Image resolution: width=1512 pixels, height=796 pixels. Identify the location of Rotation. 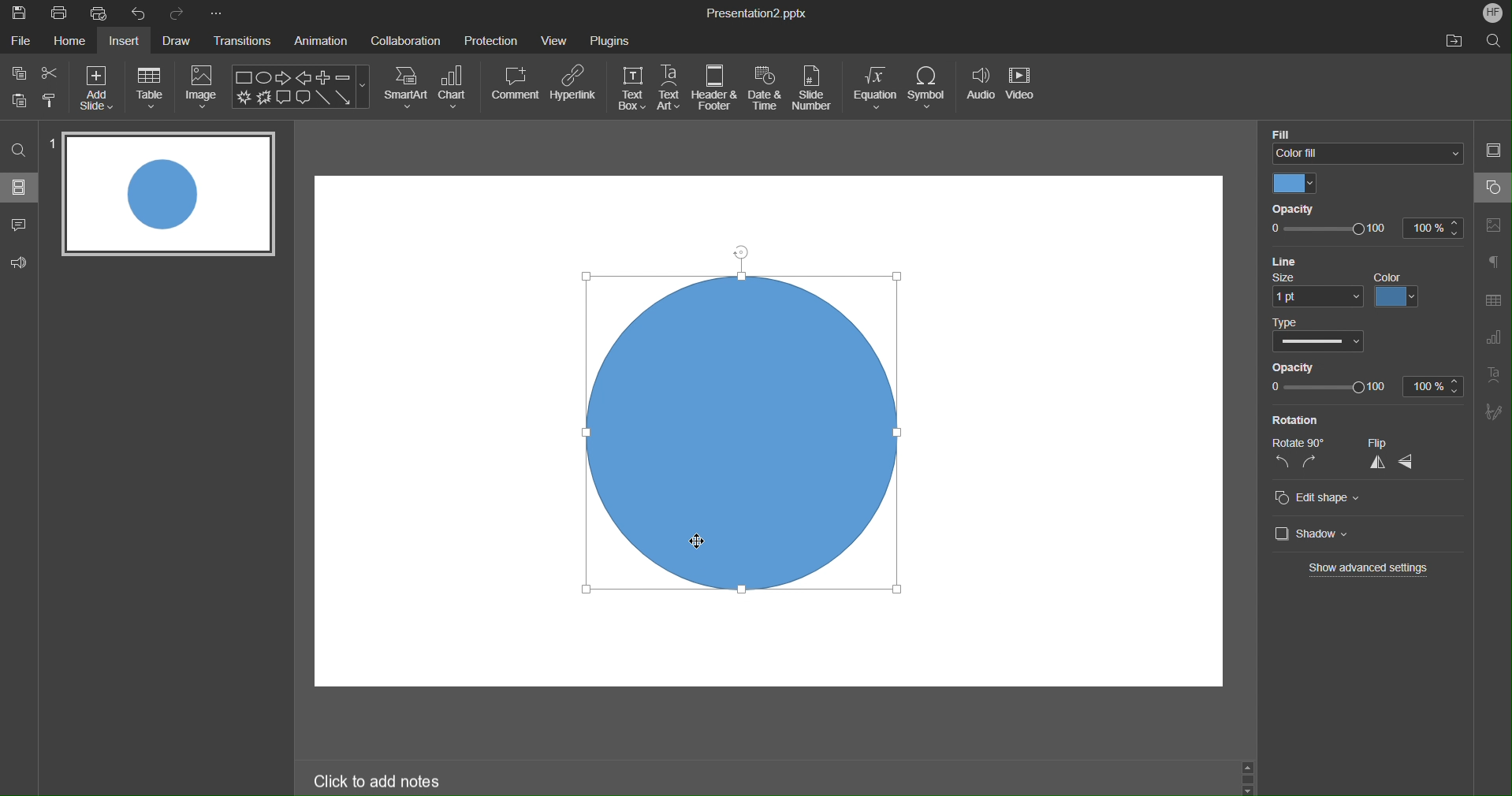
(1294, 419).